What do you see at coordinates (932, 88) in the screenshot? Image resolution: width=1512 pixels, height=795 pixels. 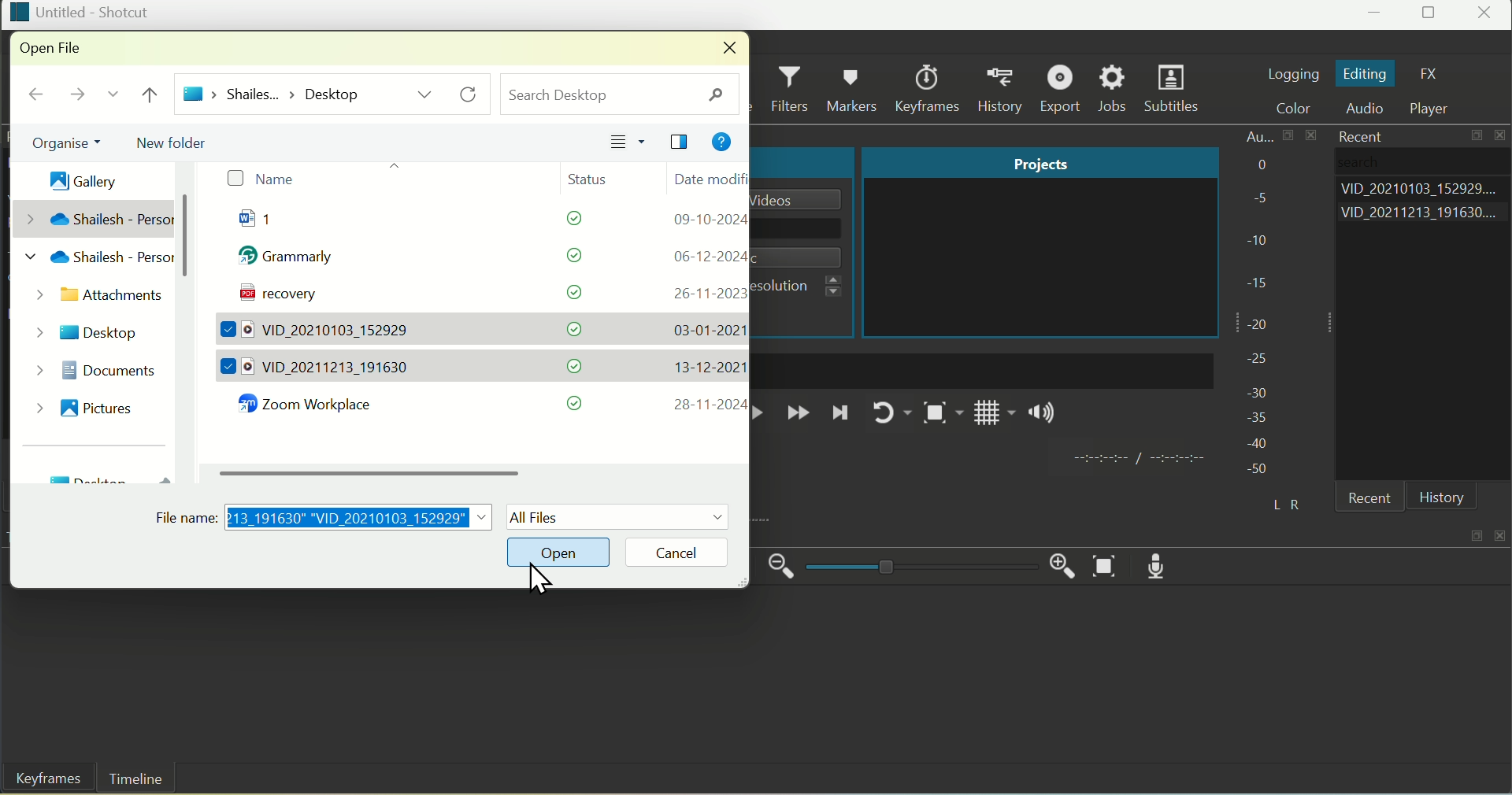 I see `Keyframes` at bounding box center [932, 88].